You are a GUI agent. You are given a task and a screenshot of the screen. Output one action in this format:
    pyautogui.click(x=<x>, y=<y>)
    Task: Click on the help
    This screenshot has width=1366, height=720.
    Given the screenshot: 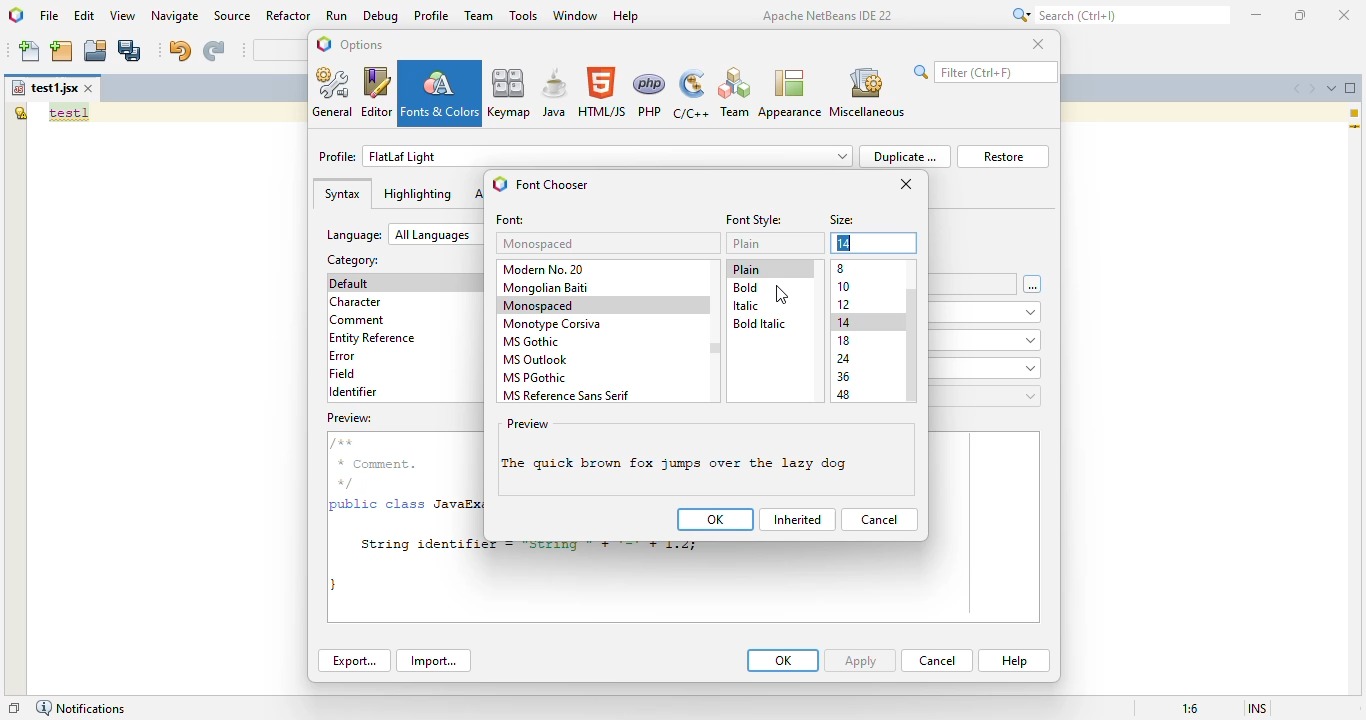 What is the action you would take?
    pyautogui.click(x=626, y=16)
    